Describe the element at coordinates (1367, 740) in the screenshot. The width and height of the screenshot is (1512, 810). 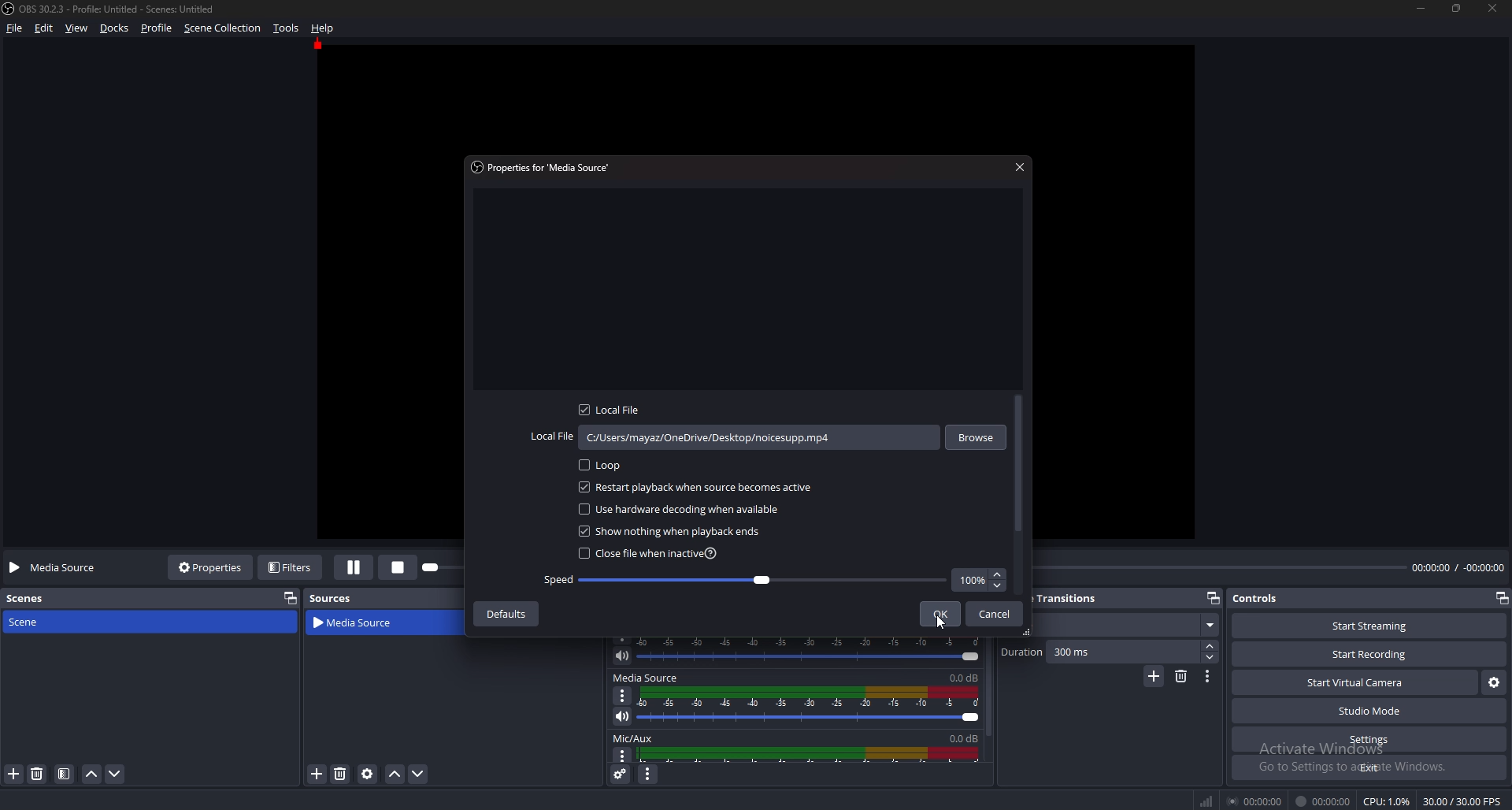
I see `settings` at that location.